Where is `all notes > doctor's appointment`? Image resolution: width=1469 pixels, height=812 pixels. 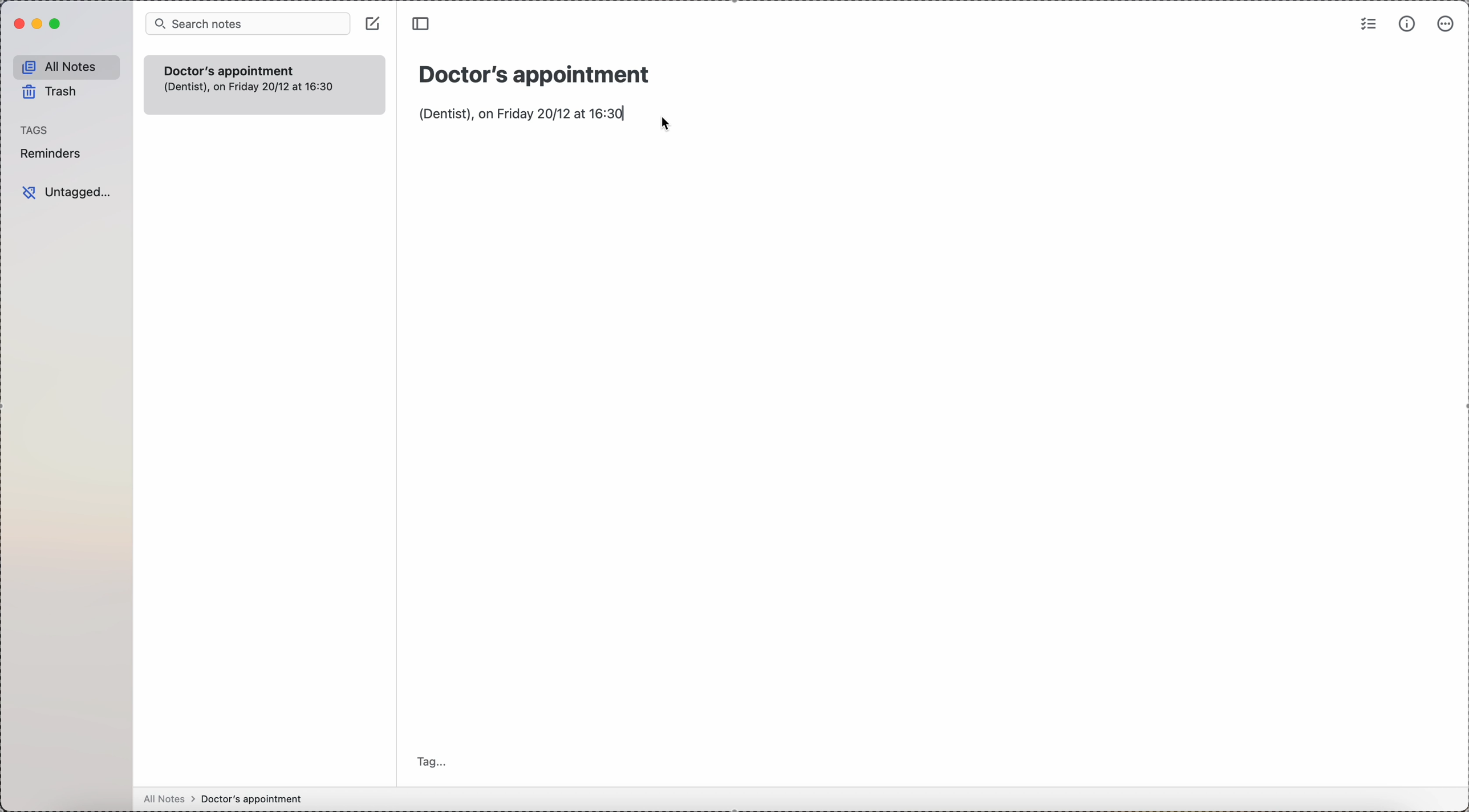
all notes > doctor's appointment is located at coordinates (223, 798).